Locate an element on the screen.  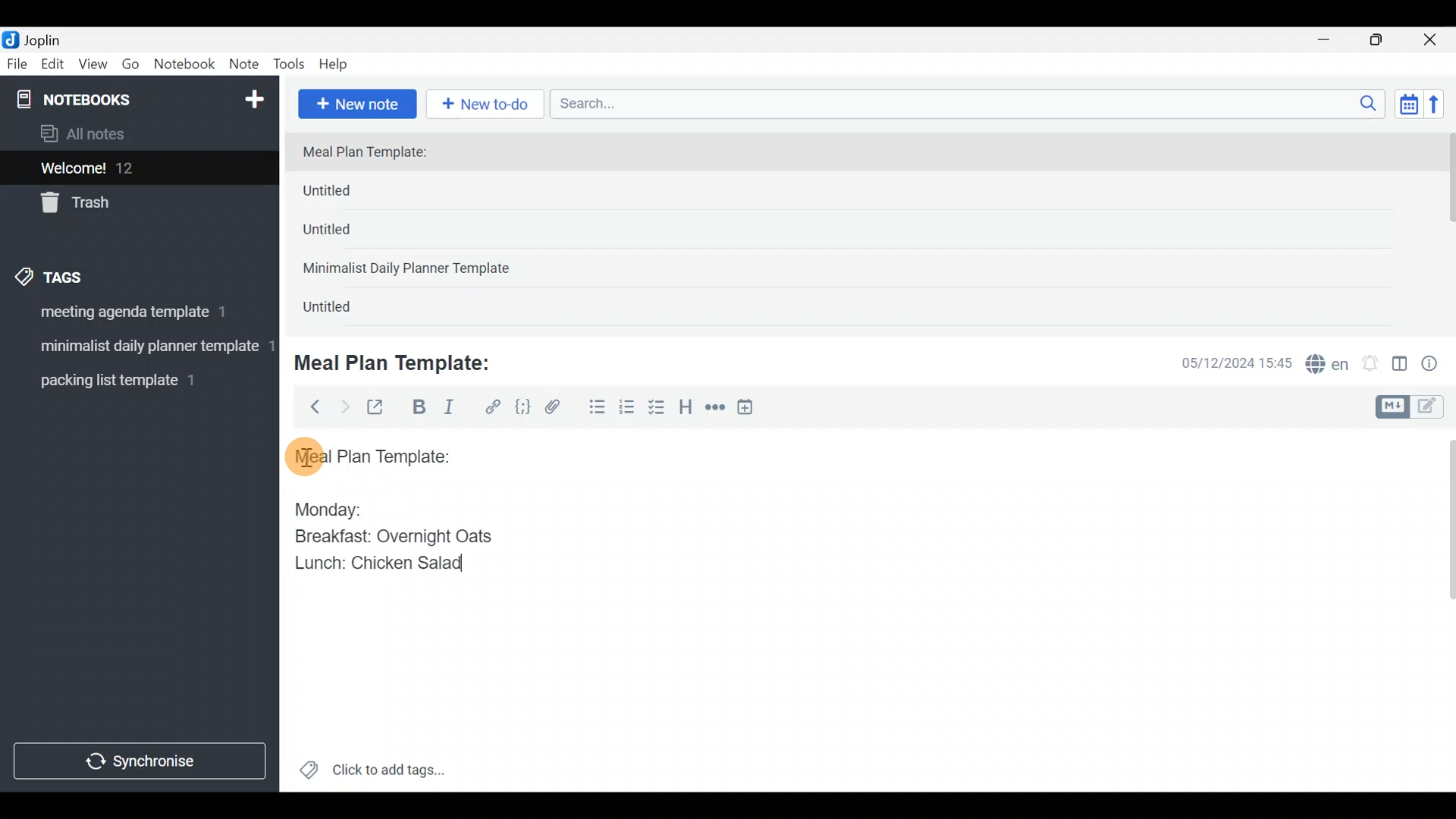
File is located at coordinates (18, 64).